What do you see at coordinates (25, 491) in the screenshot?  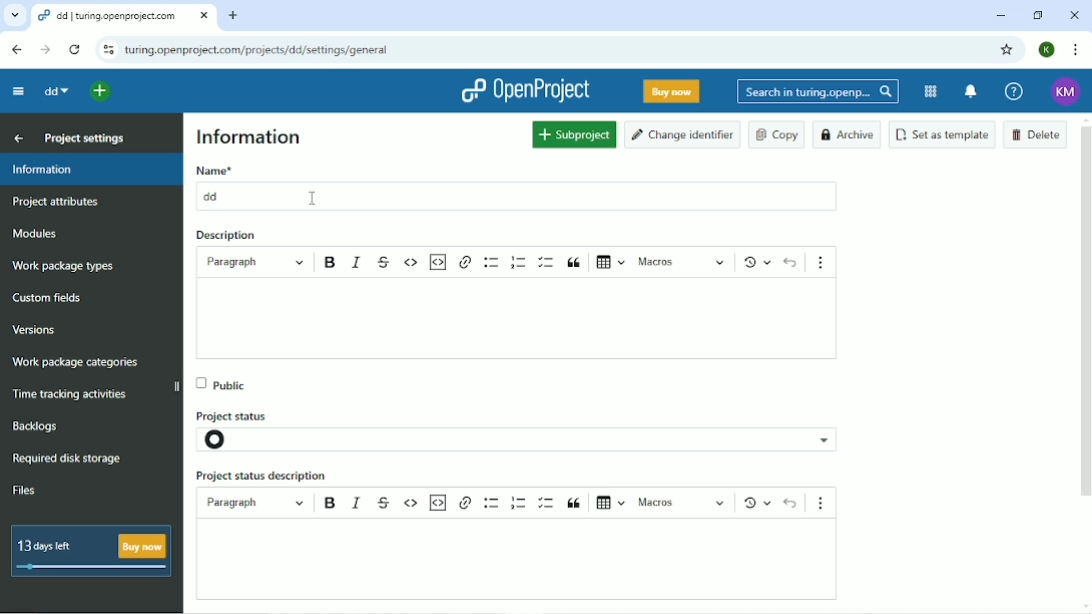 I see `Files` at bounding box center [25, 491].